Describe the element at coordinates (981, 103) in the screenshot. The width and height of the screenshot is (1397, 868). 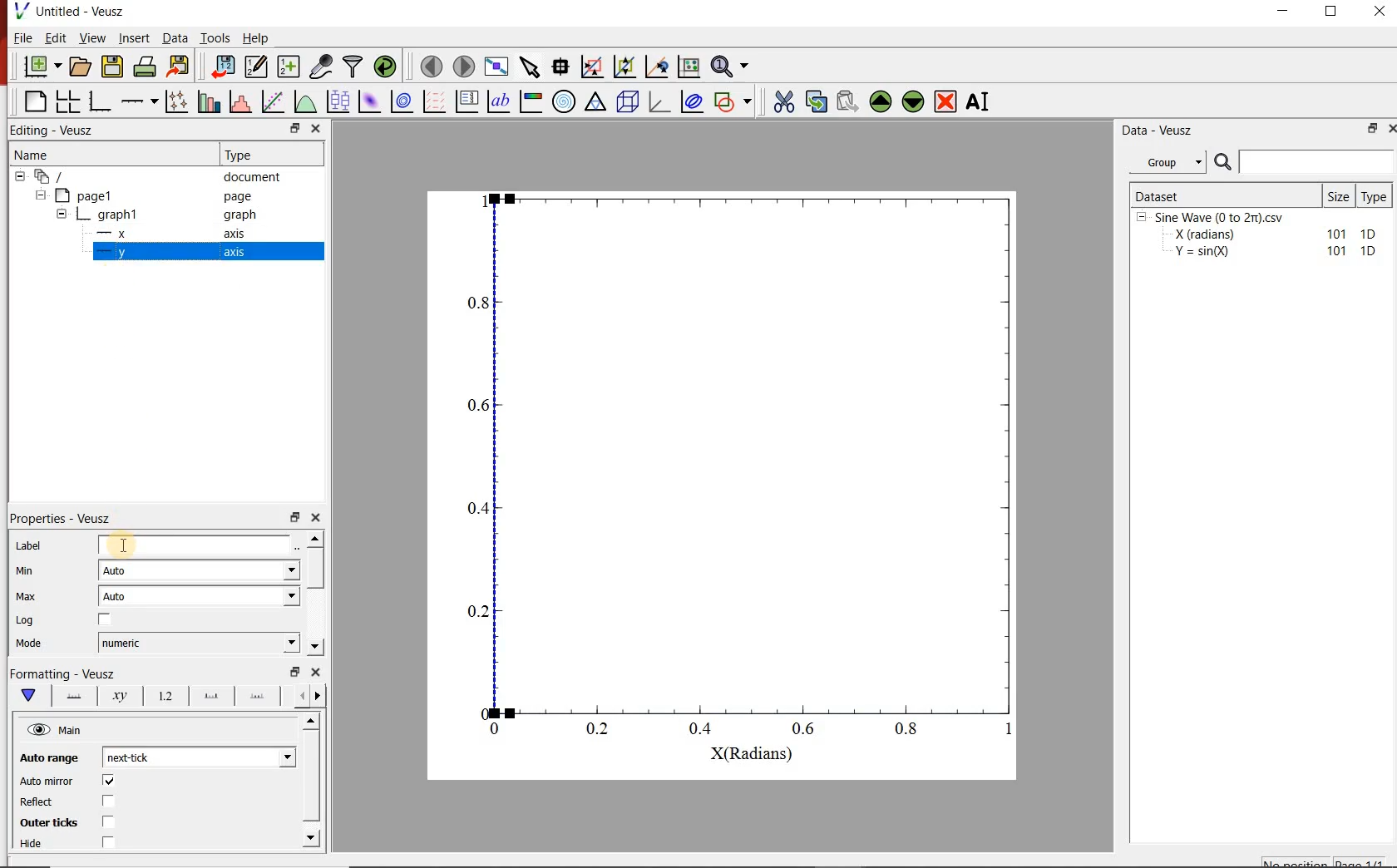
I see `rename` at that location.